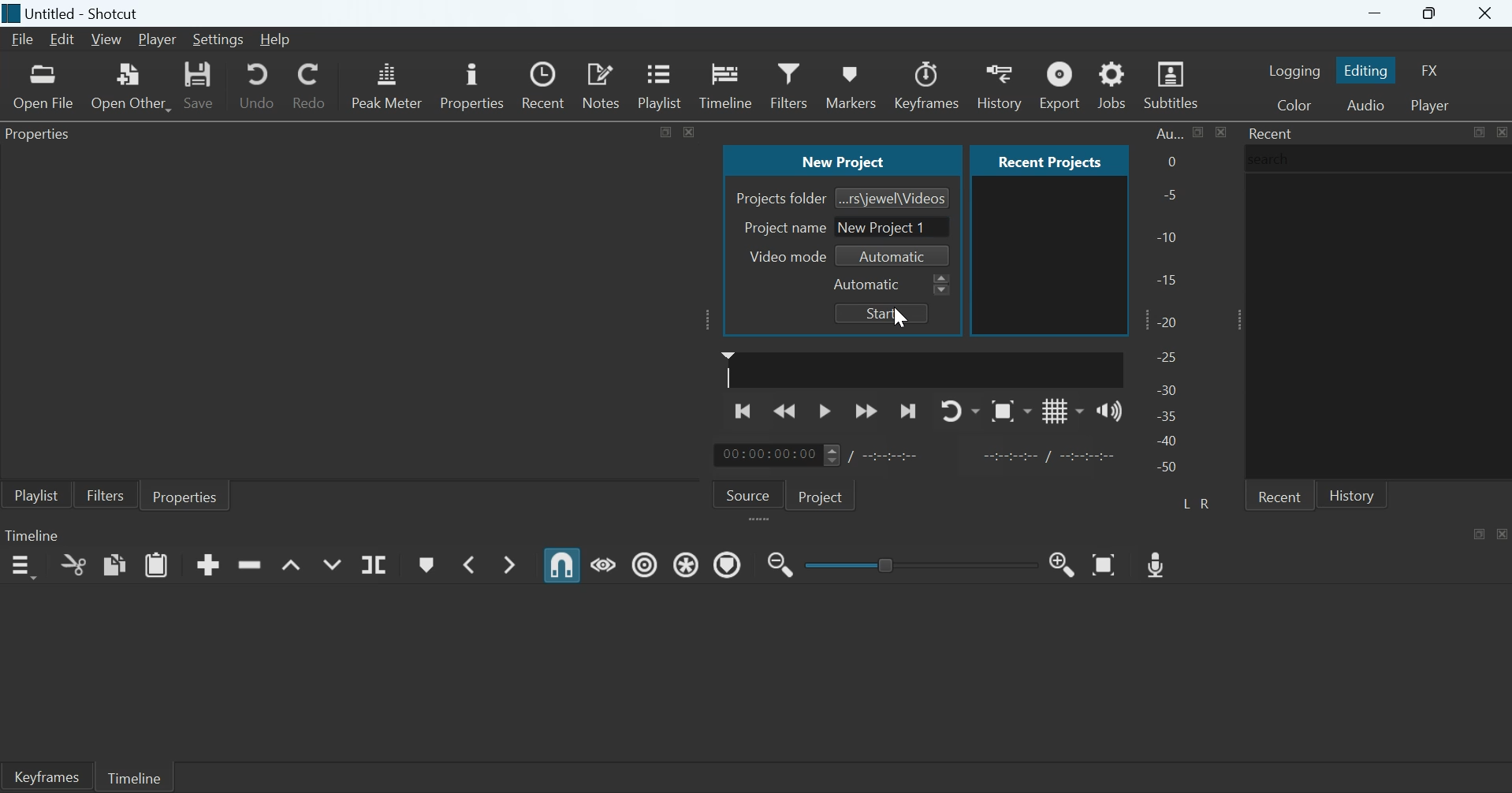 The width and height of the screenshot is (1512, 793). What do you see at coordinates (784, 256) in the screenshot?
I see `Video mode` at bounding box center [784, 256].